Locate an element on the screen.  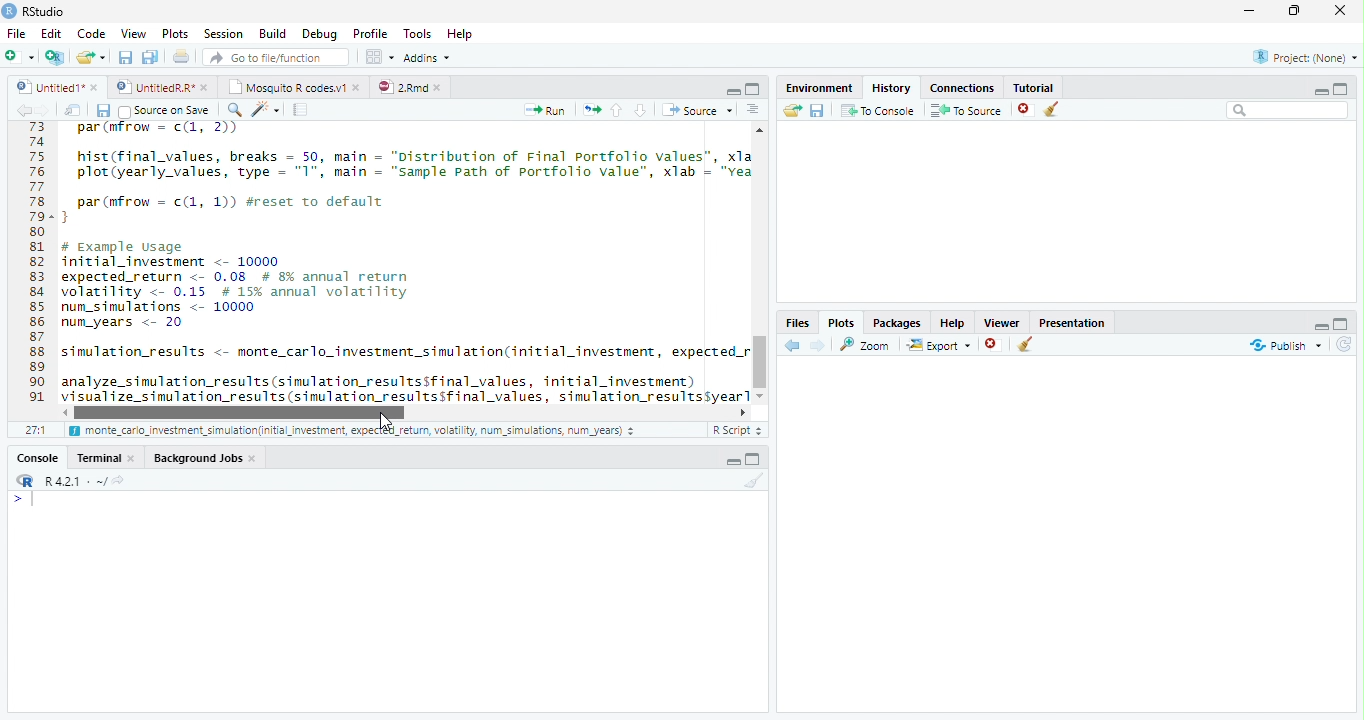
Scroll down is located at coordinates (761, 393).